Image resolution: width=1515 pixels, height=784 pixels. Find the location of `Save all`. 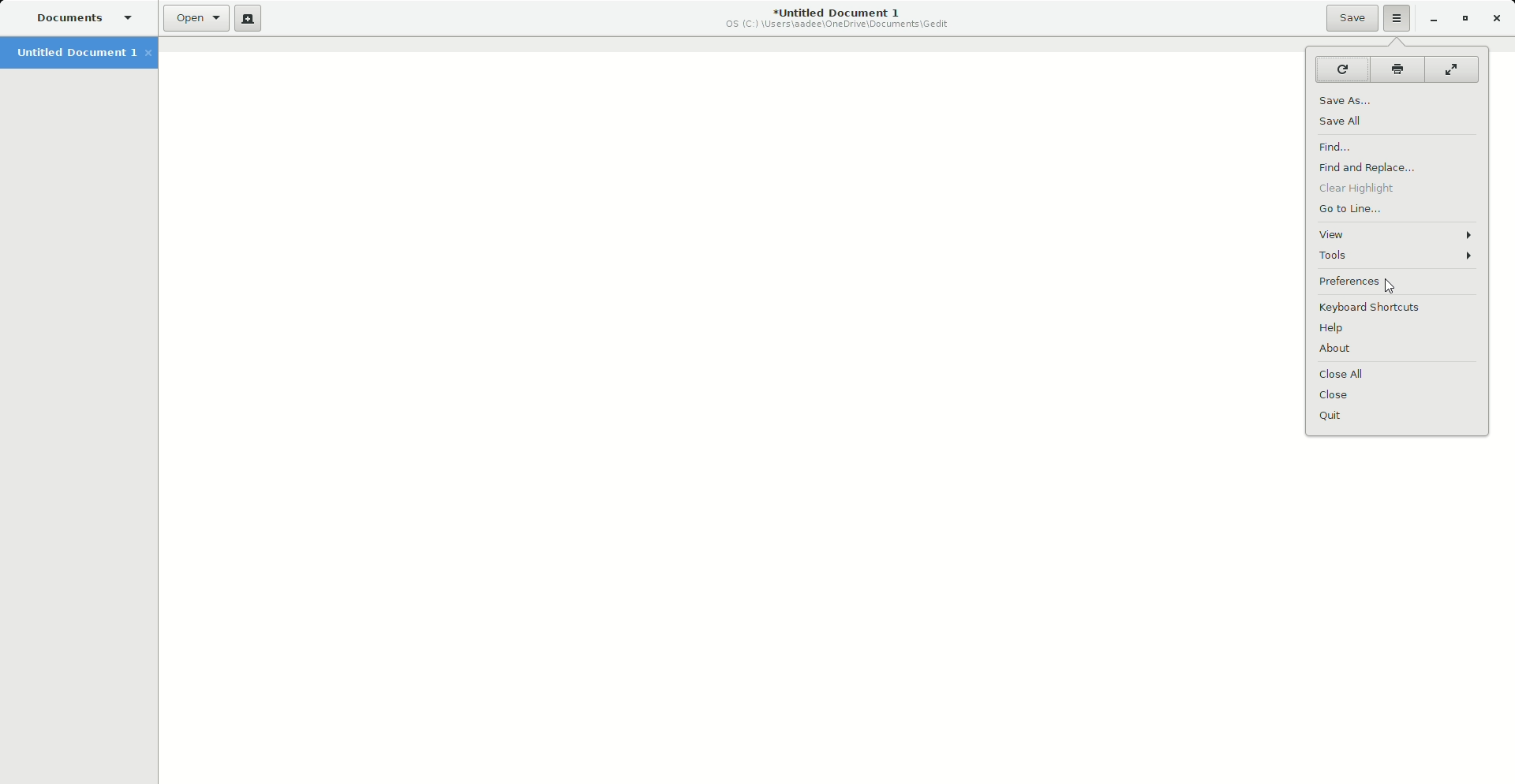

Save all is located at coordinates (1351, 121).